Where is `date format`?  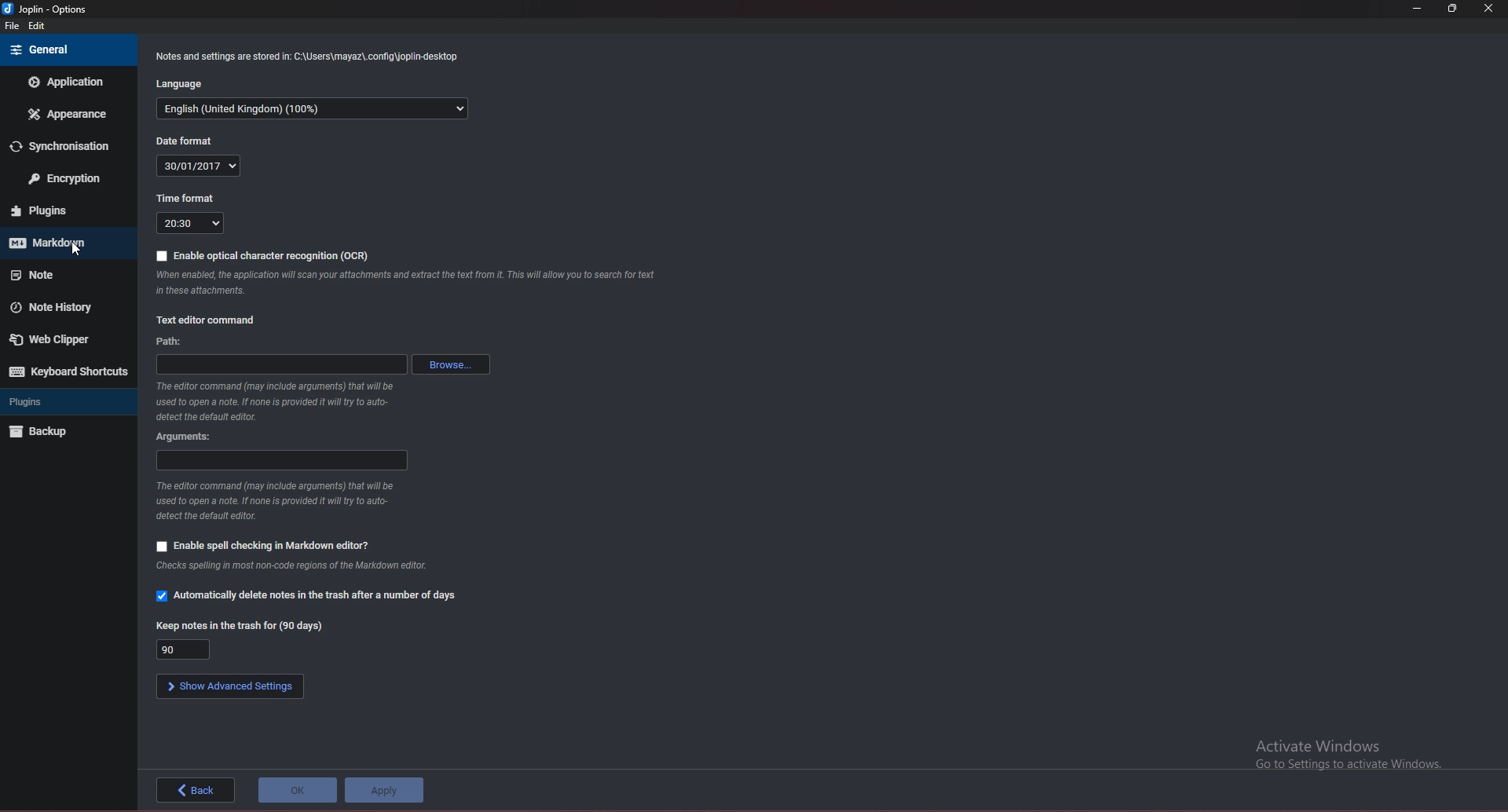
date format is located at coordinates (185, 141).